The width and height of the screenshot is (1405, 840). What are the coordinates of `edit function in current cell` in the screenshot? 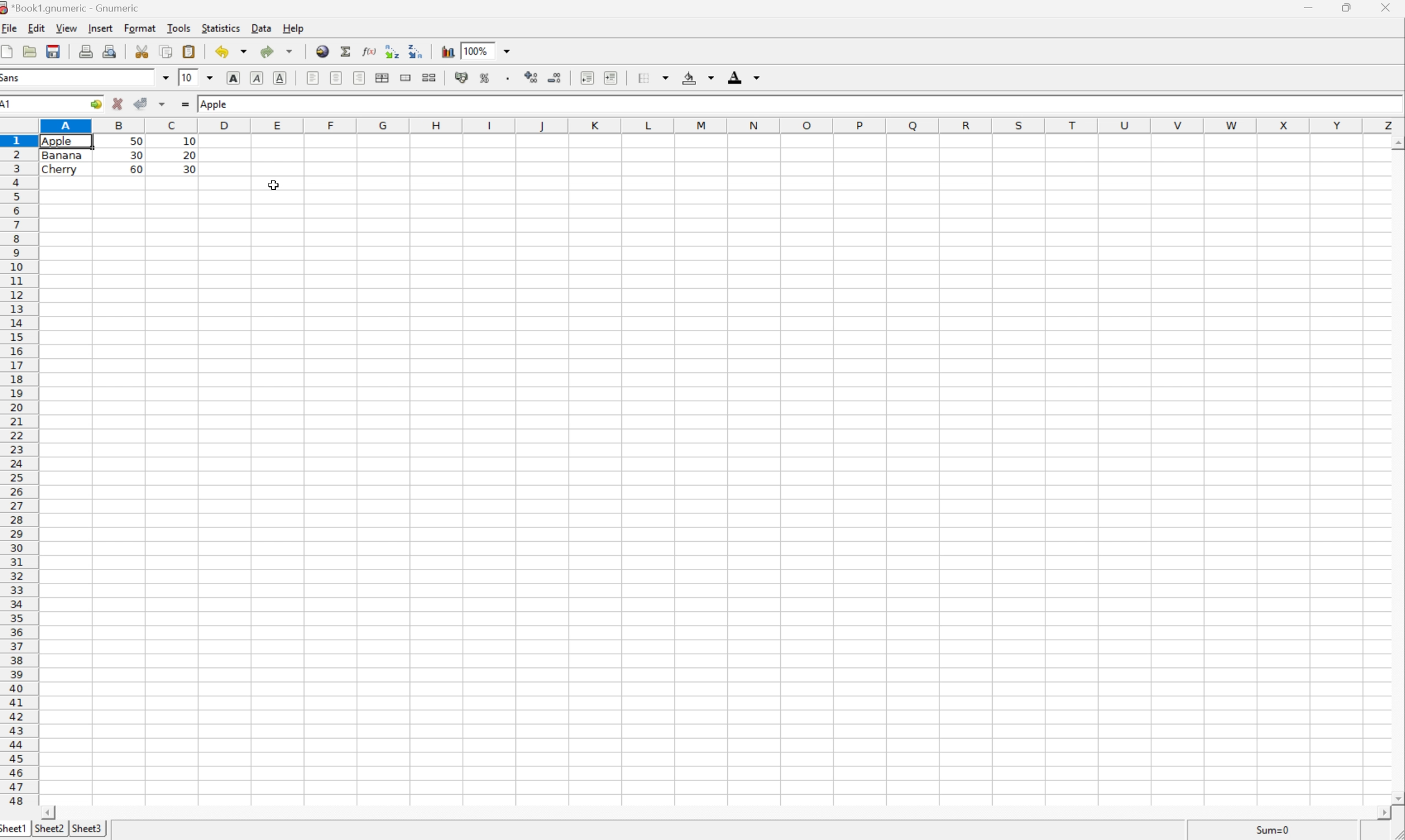 It's located at (370, 50).